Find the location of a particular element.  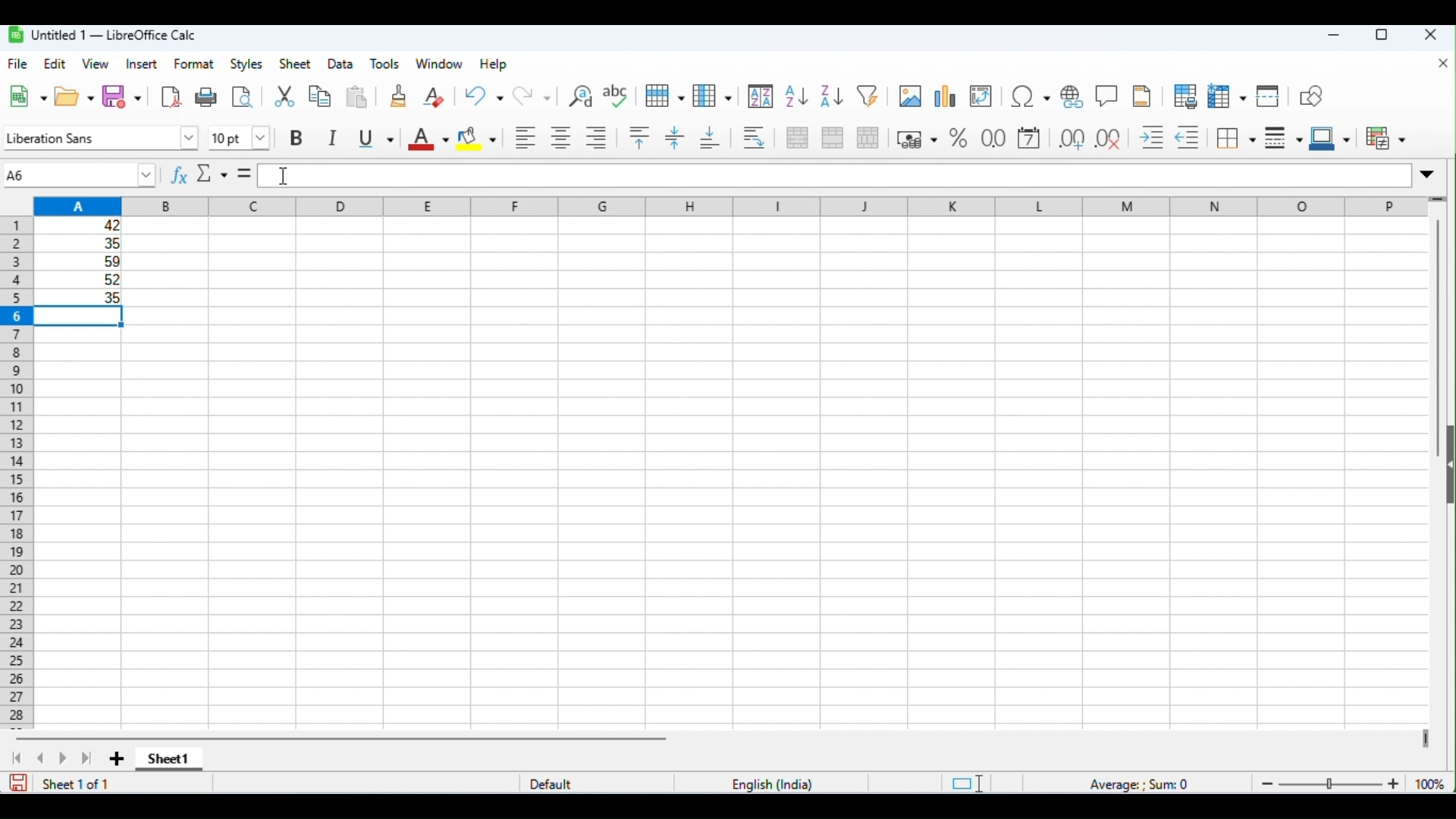

format as number is located at coordinates (993, 139).